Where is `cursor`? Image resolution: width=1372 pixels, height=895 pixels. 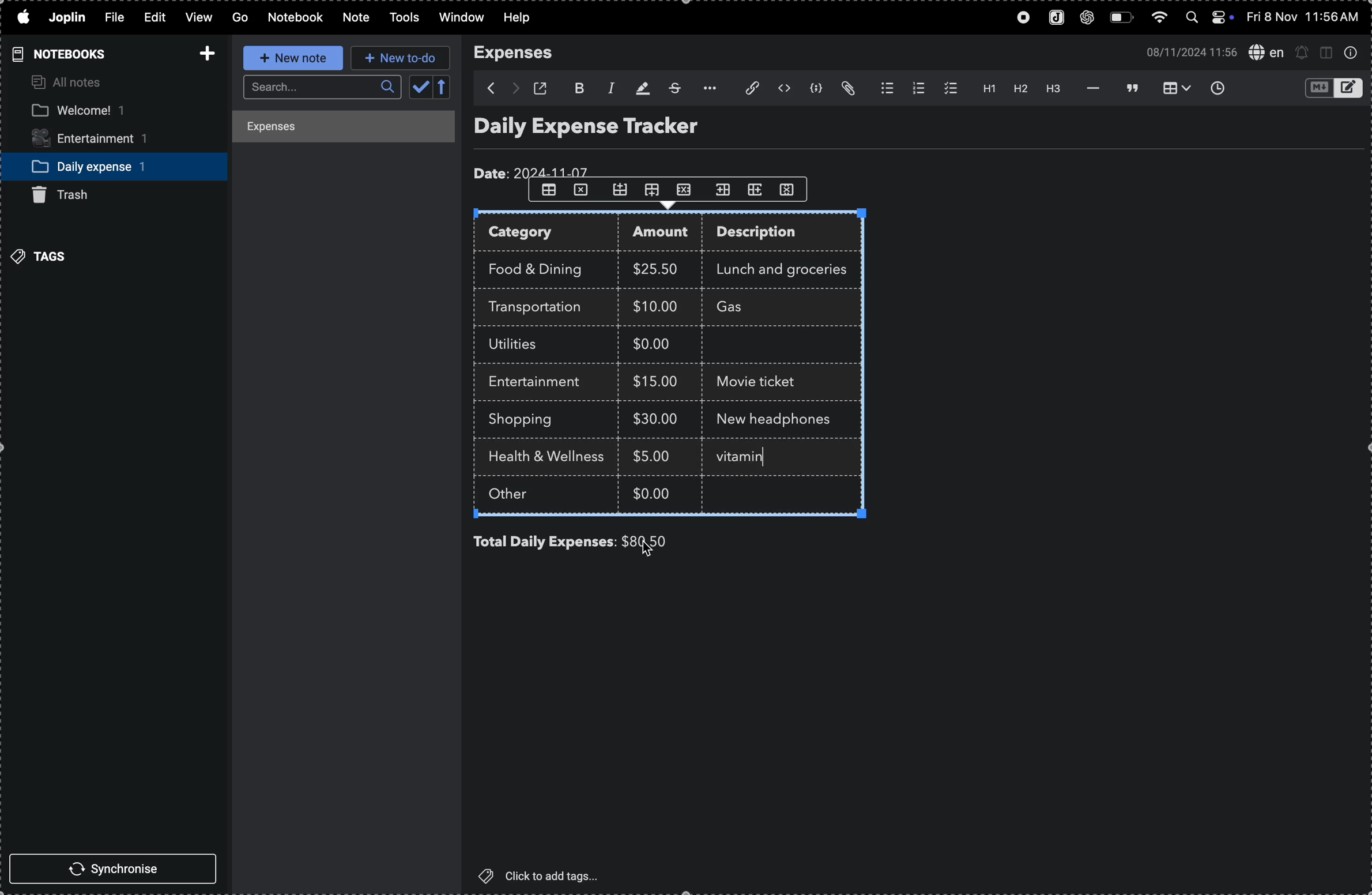
cursor is located at coordinates (650, 551).